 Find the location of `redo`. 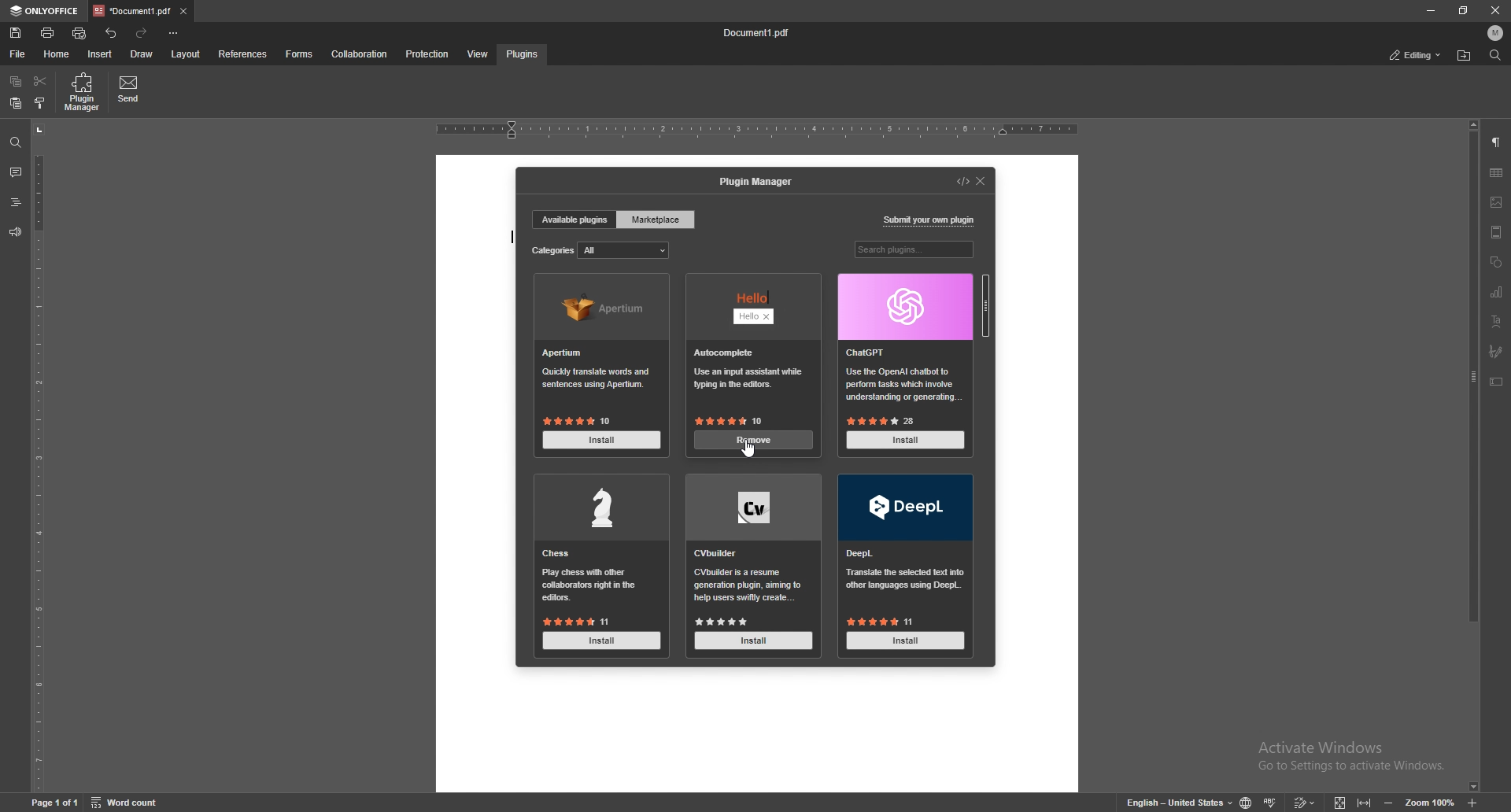

redo is located at coordinates (142, 35).